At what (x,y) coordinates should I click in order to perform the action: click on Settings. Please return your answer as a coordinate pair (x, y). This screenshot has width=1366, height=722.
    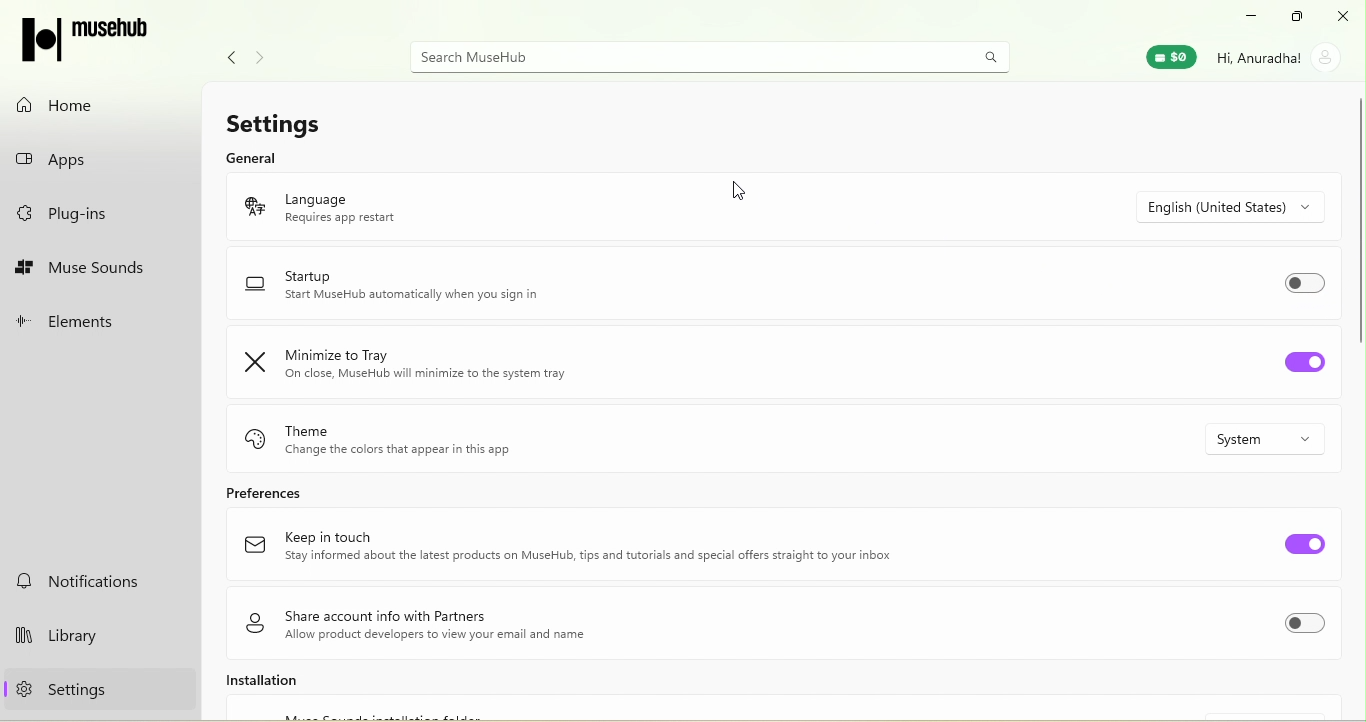
    Looking at the image, I should click on (289, 120).